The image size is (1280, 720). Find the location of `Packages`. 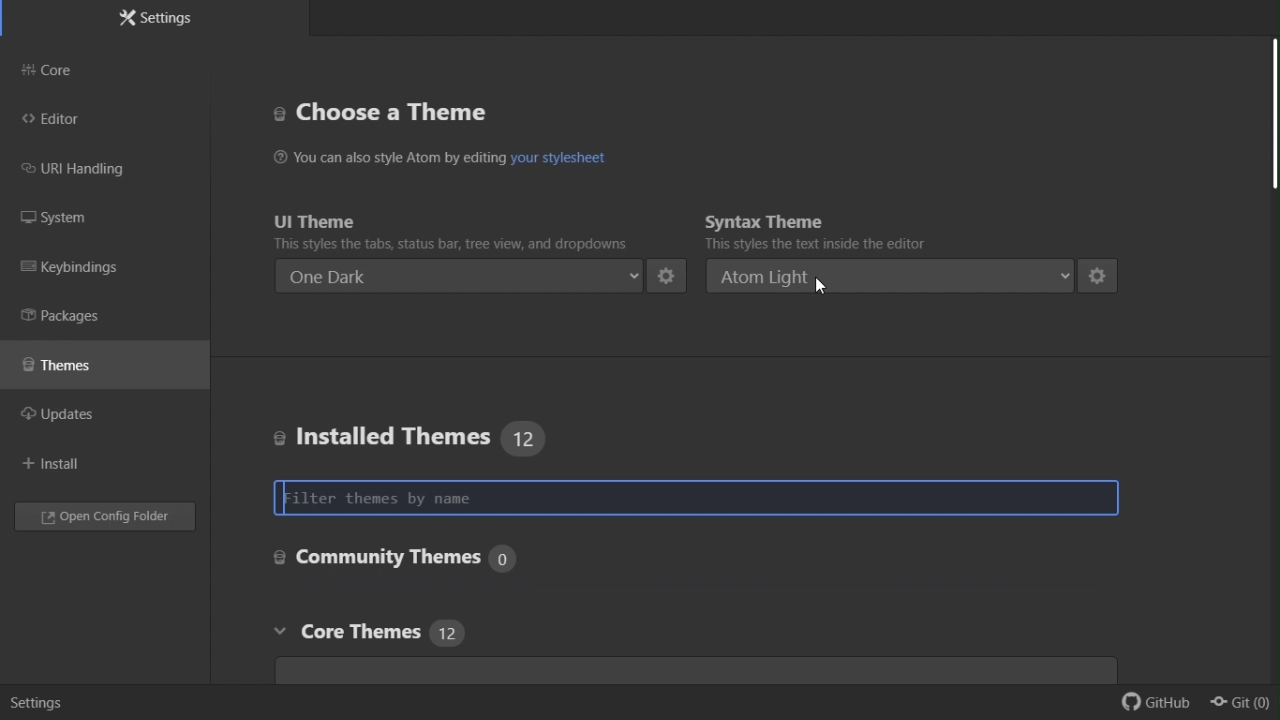

Packages is located at coordinates (83, 318).